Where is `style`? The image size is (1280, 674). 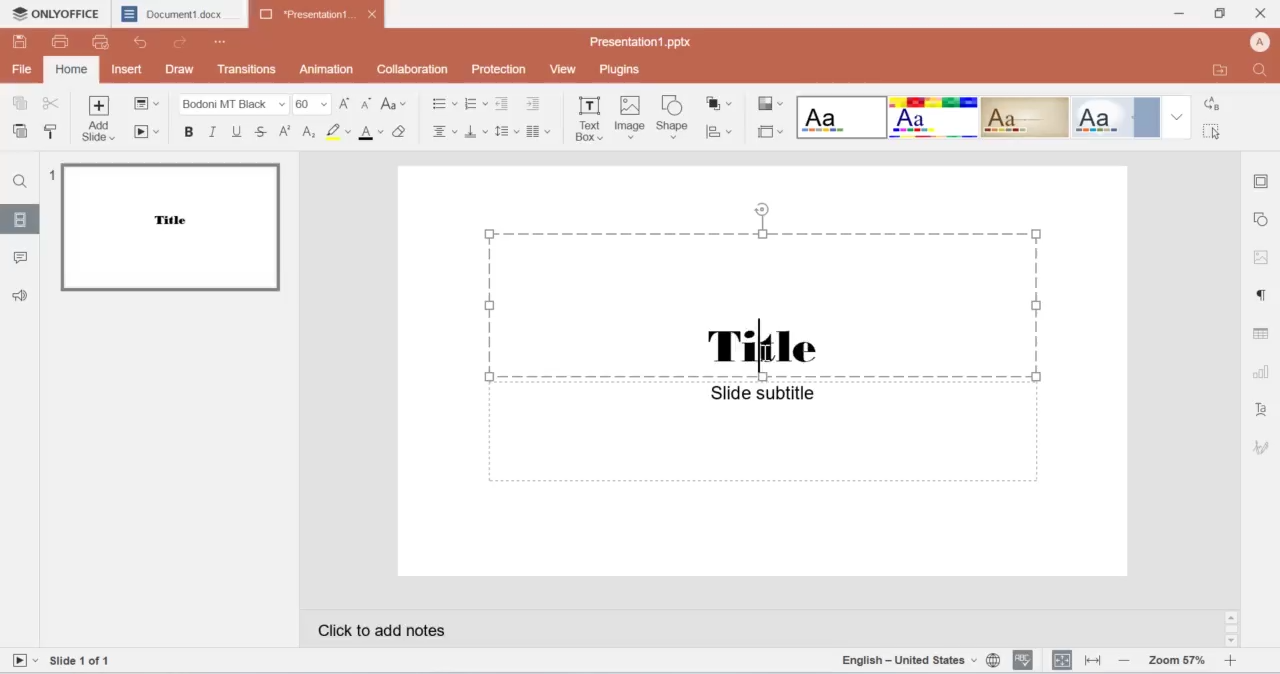
style is located at coordinates (770, 105).